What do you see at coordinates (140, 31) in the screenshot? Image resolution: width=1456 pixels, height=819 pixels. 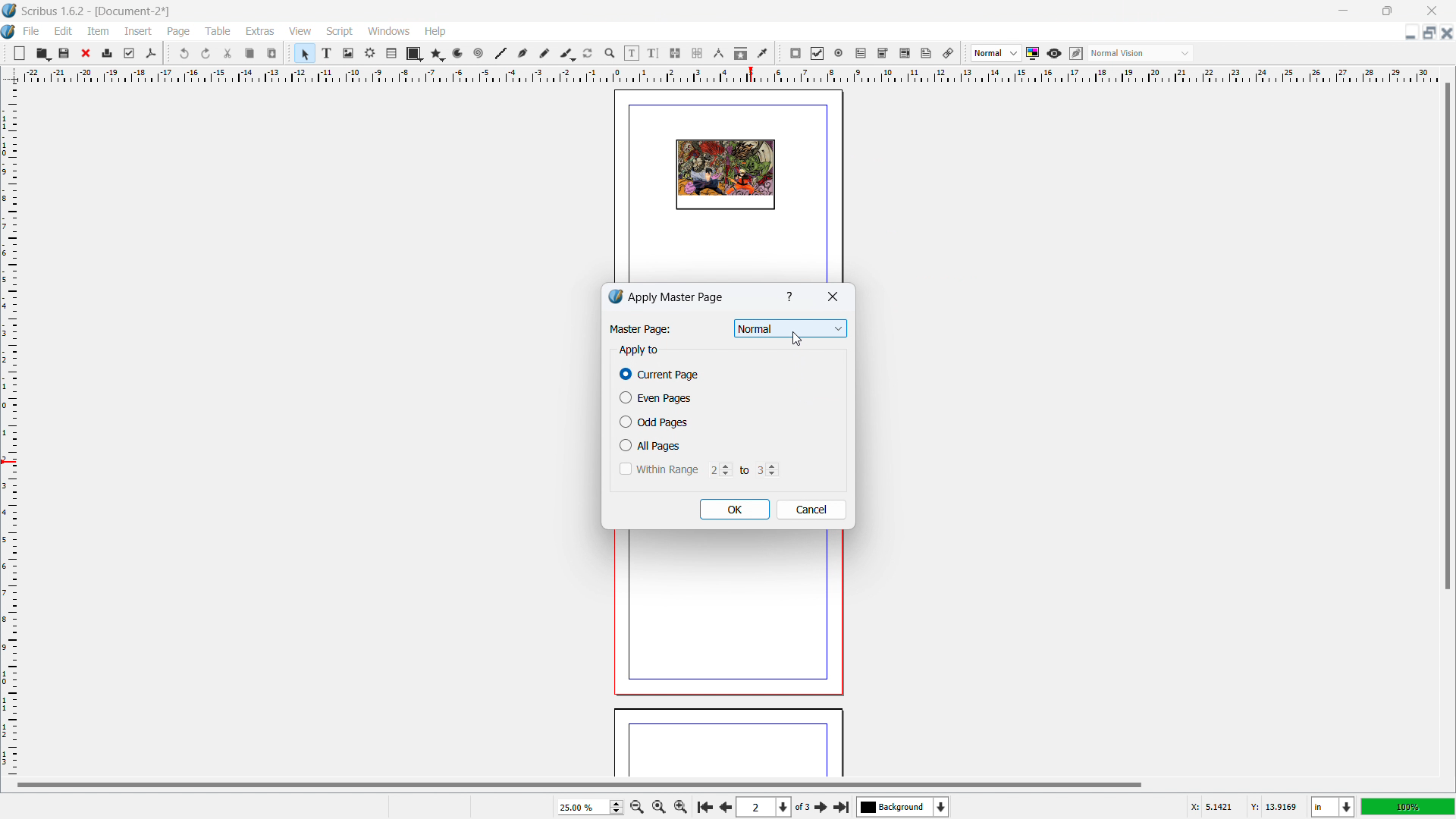 I see `insert` at bounding box center [140, 31].